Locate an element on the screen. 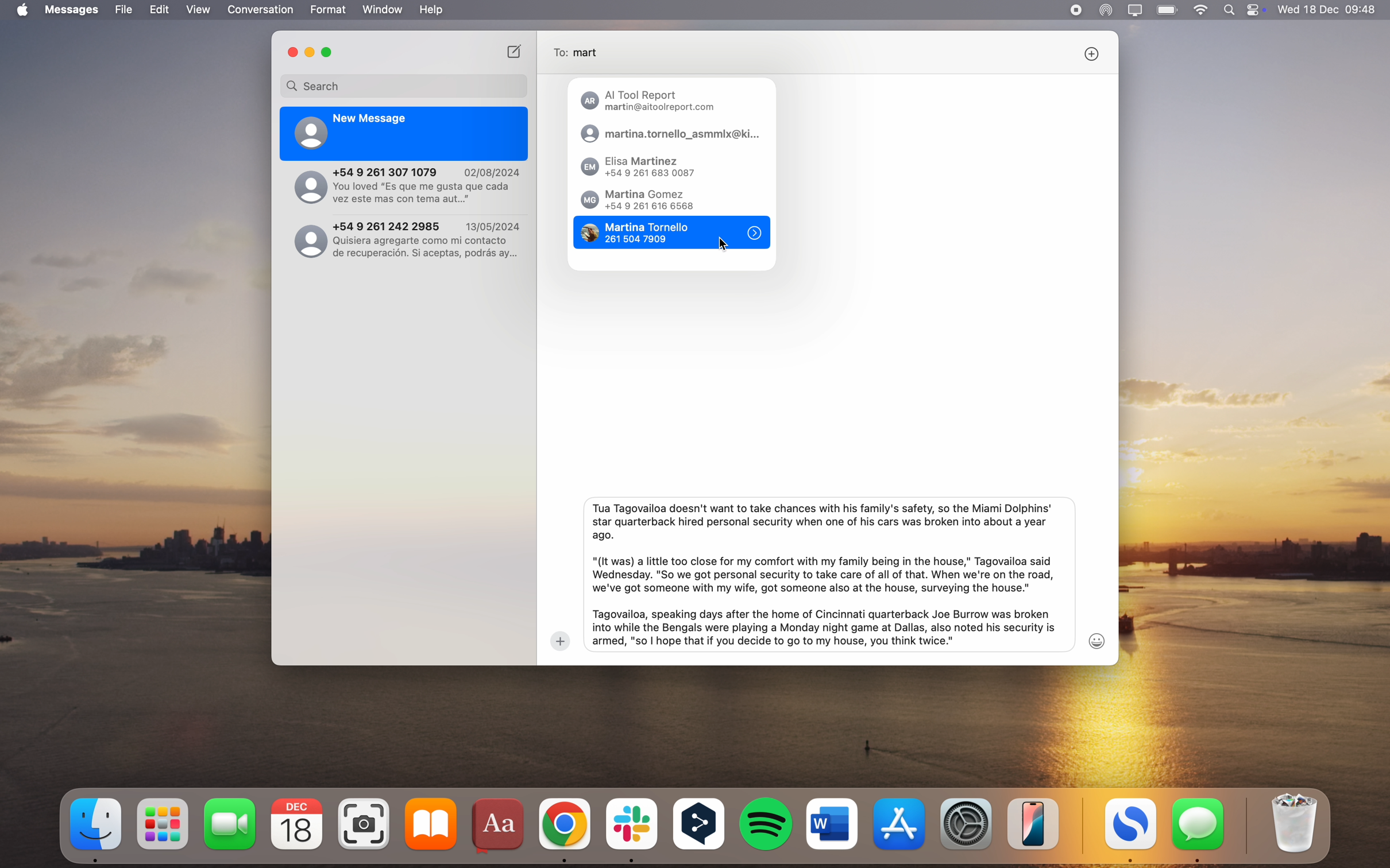 Image resolution: width=1390 pixels, height=868 pixels. search bar is located at coordinates (404, 86).